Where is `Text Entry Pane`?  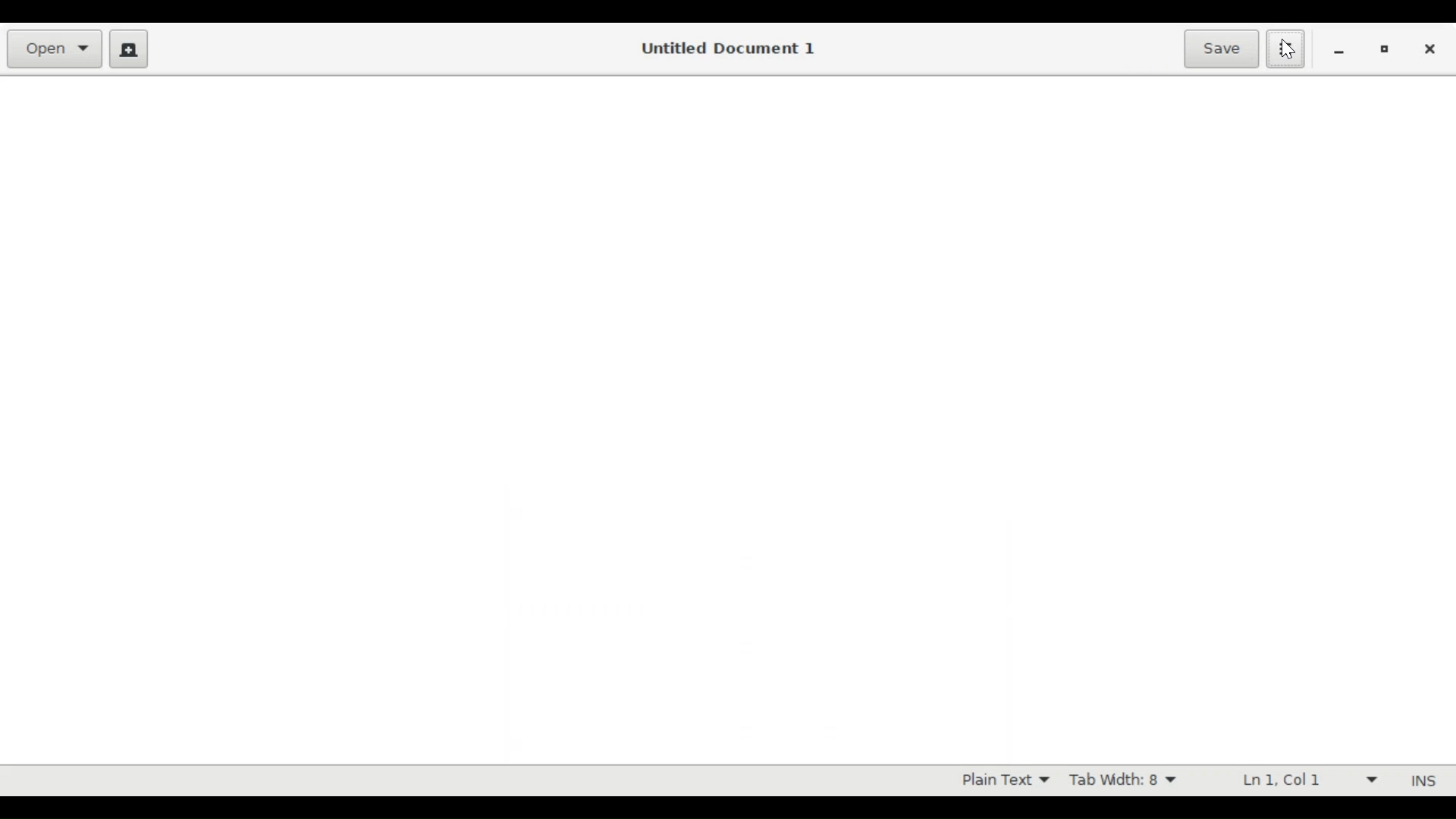
Text Entry Pane is located at coordinates (725, 419).